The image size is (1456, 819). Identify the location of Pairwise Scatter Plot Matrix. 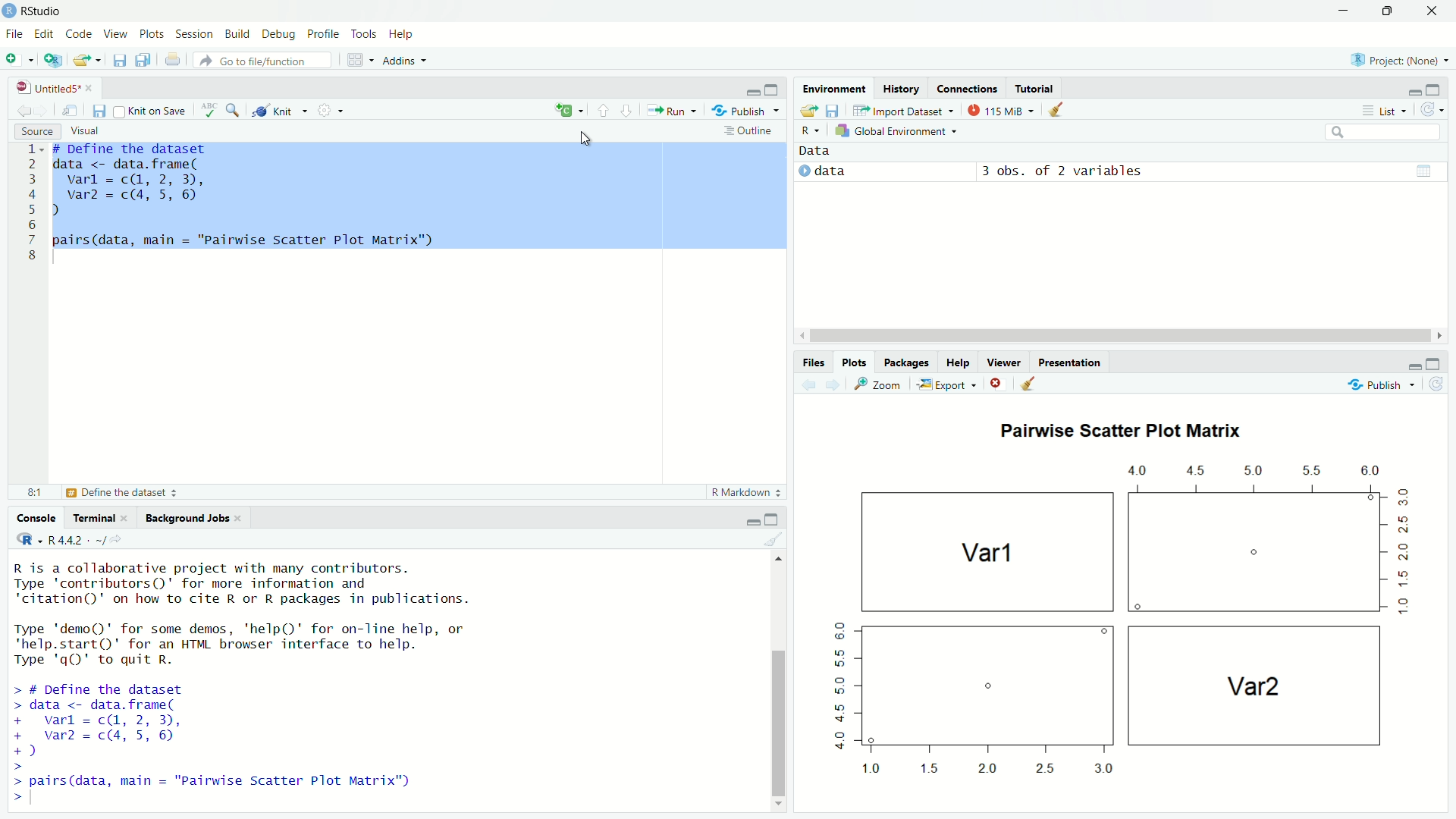
(1129, 432).